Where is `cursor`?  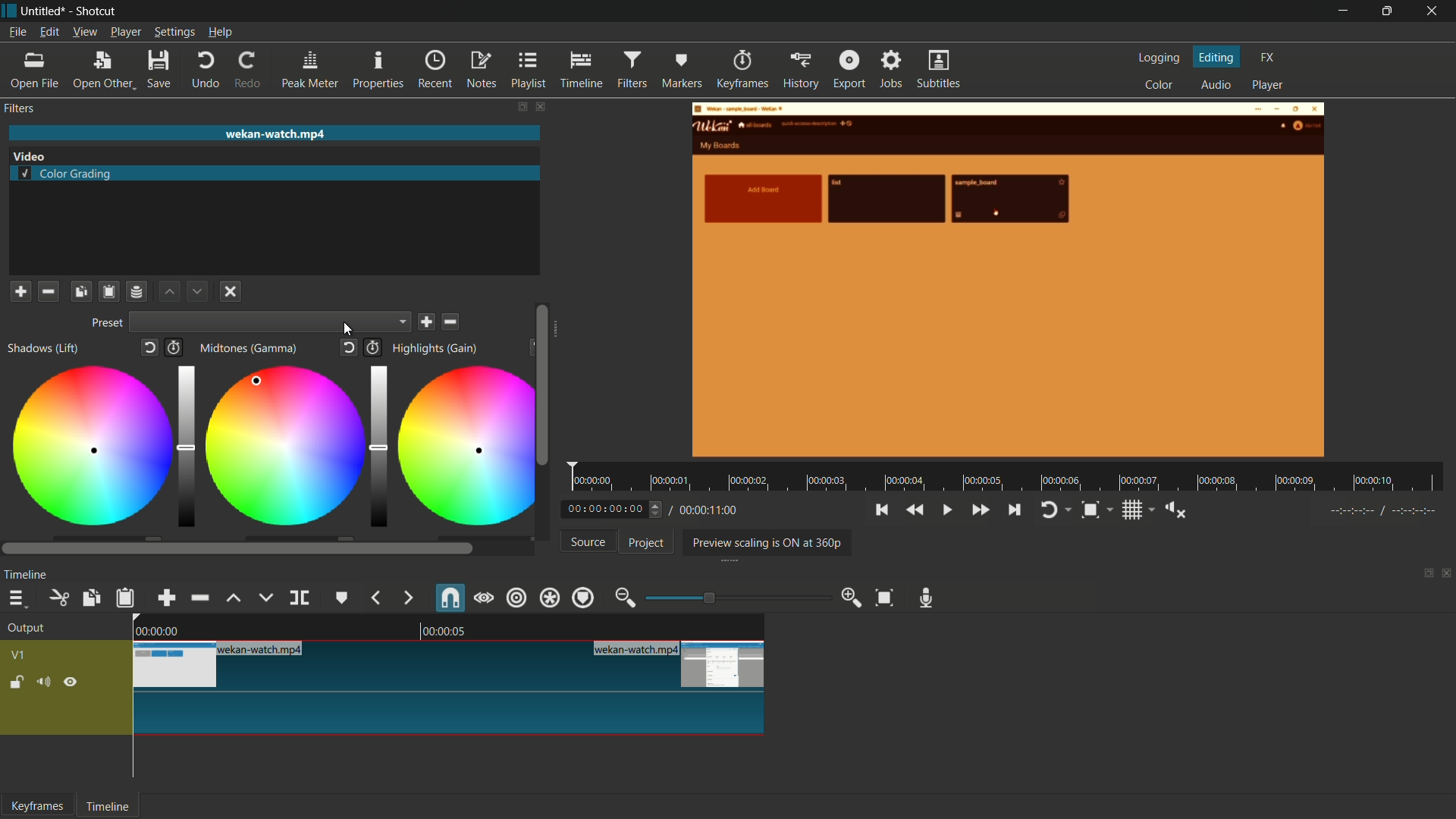
cursor is located at coordinates (258, 378).